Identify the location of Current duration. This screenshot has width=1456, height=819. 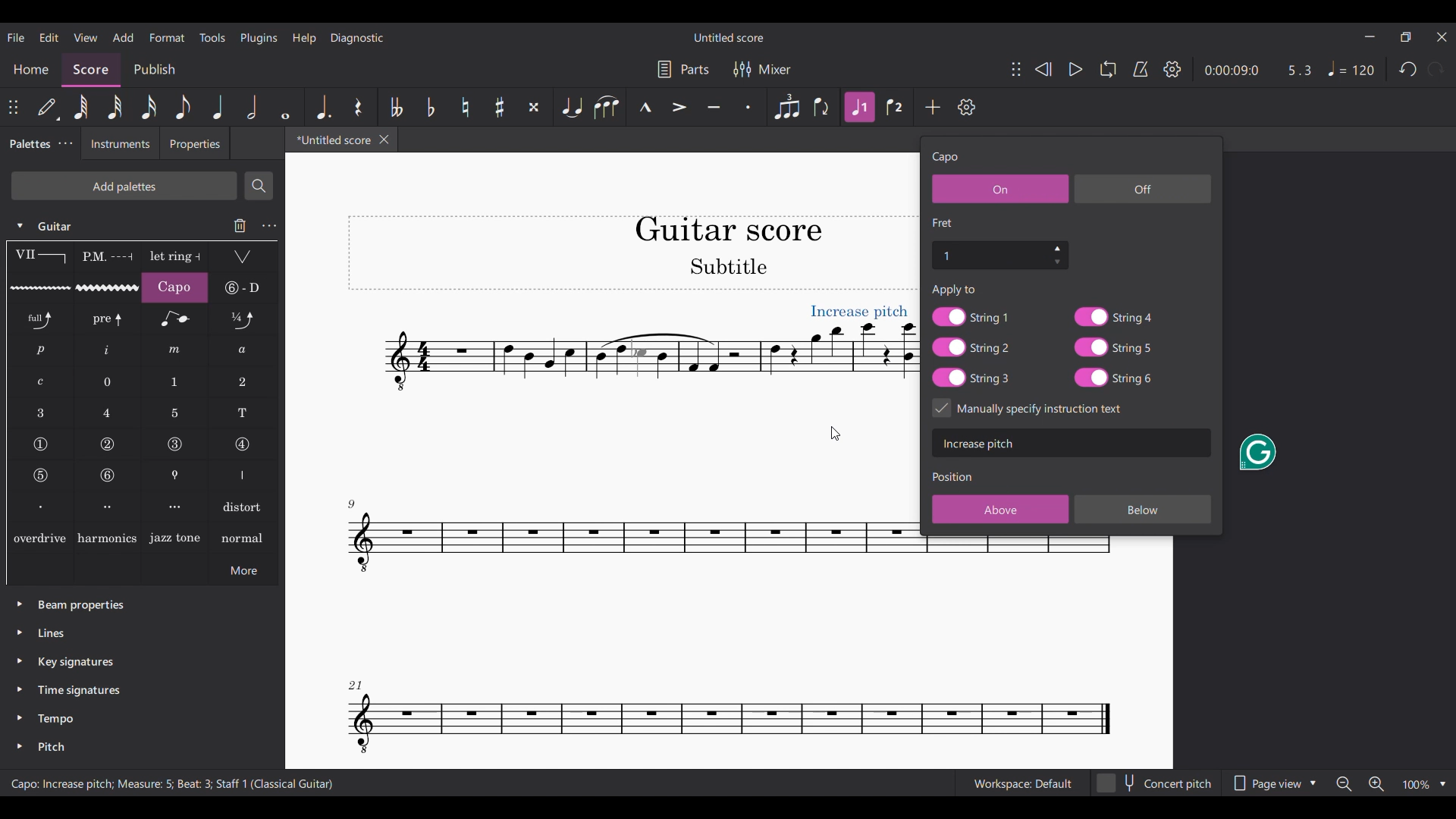
(1232, 69).